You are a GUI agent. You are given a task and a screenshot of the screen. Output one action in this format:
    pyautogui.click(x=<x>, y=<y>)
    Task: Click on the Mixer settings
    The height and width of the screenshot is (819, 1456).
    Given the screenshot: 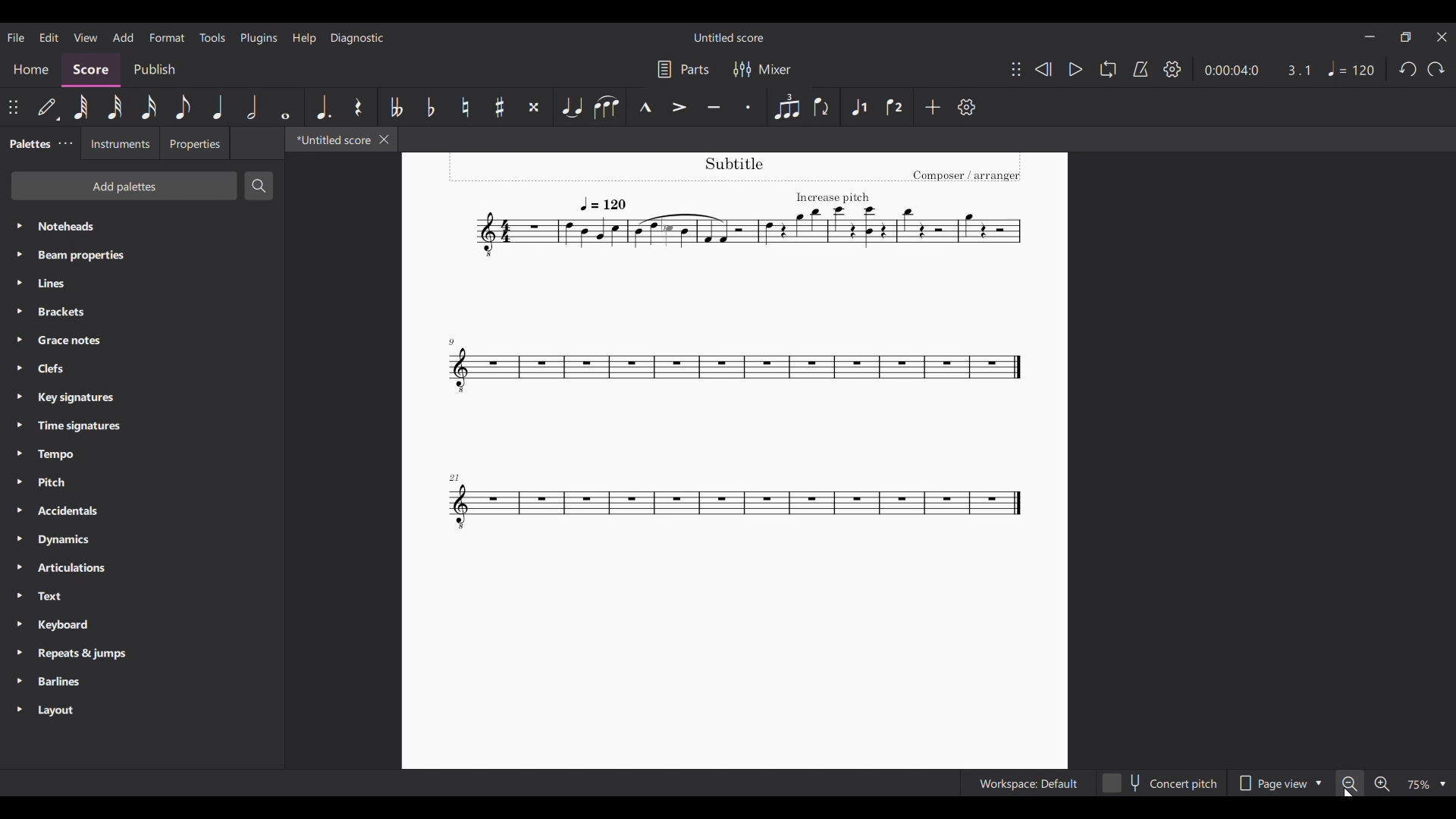 What is the action you would take?
    pyautogui.click(x=763, y=69)
    